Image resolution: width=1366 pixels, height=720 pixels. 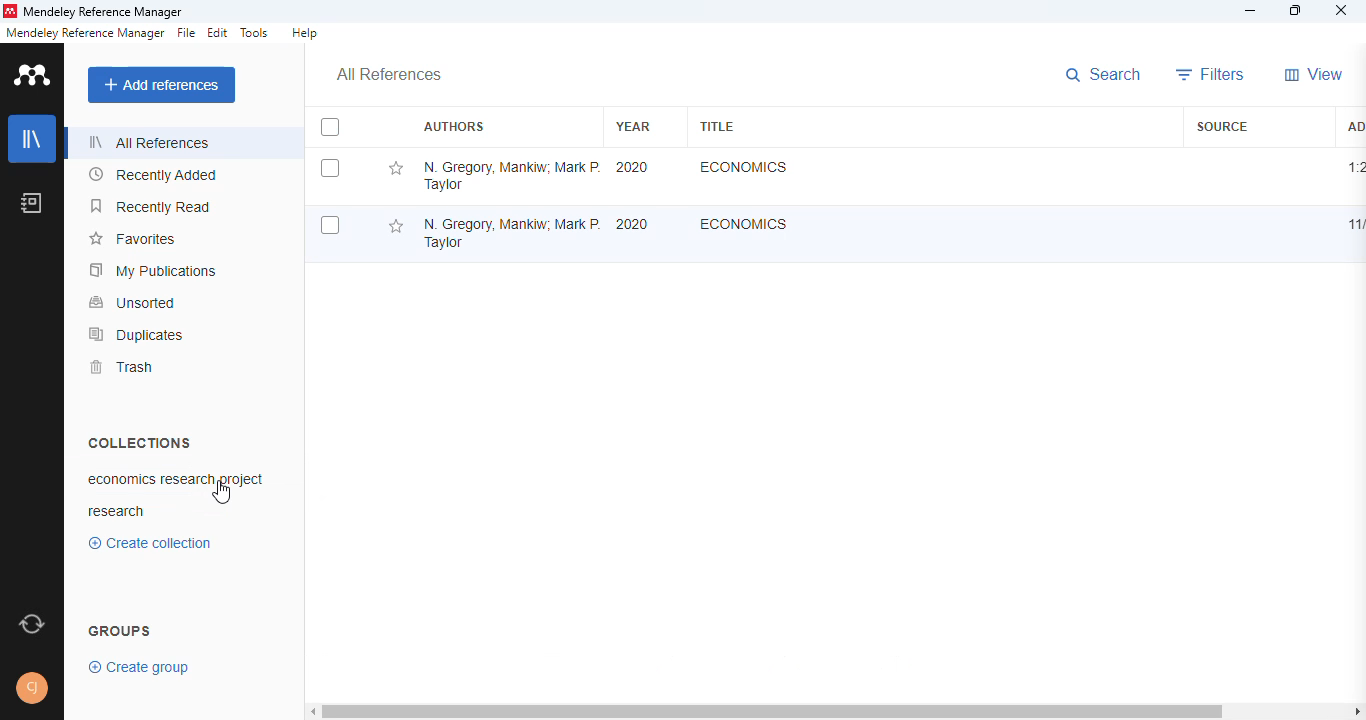 I want to click on N. Gregory Mankiw, Mark P. Taylor, so click(x=511, y=175).